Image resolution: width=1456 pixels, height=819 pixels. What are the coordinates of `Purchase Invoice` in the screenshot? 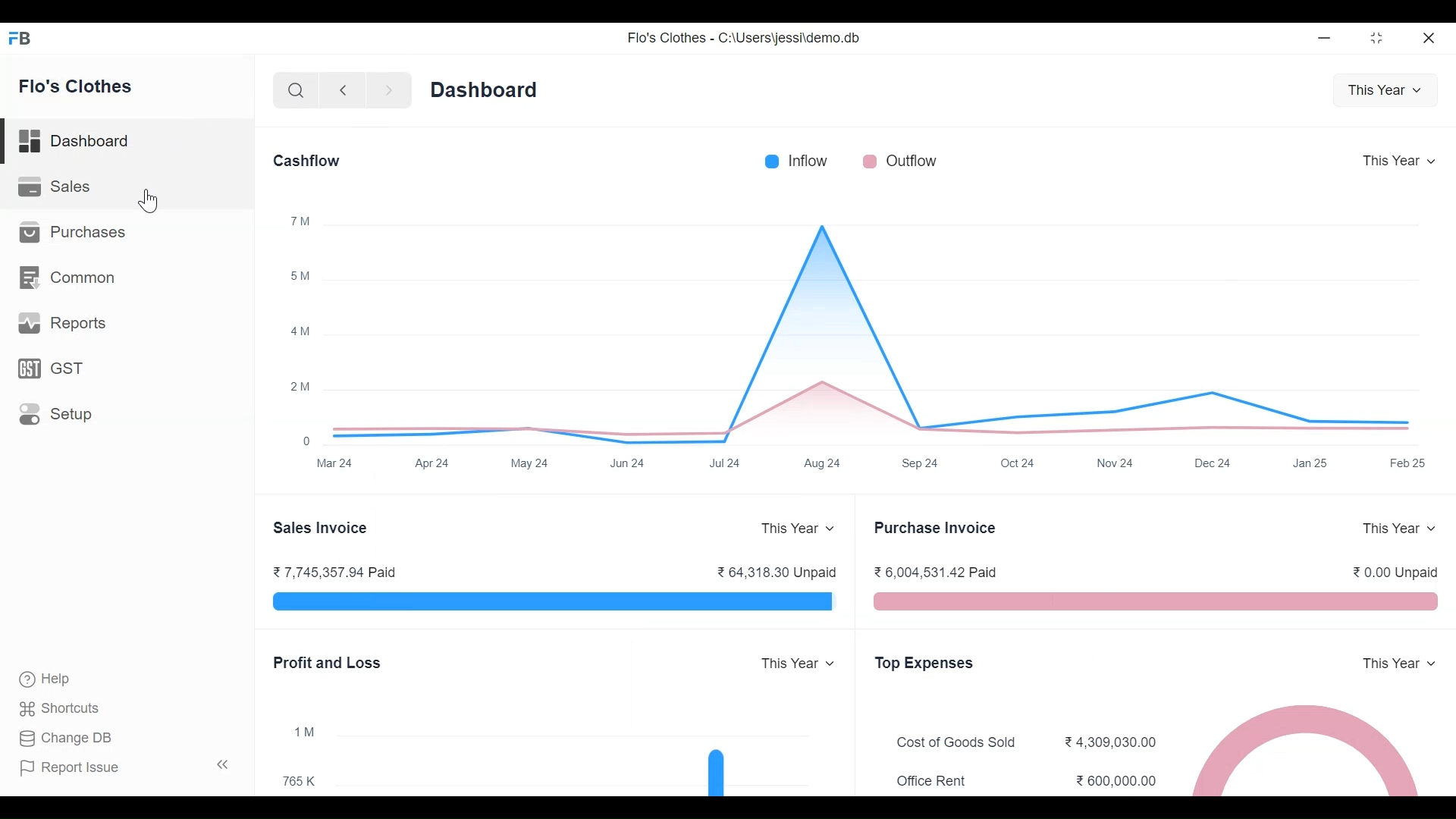 It's located at (937, 527).